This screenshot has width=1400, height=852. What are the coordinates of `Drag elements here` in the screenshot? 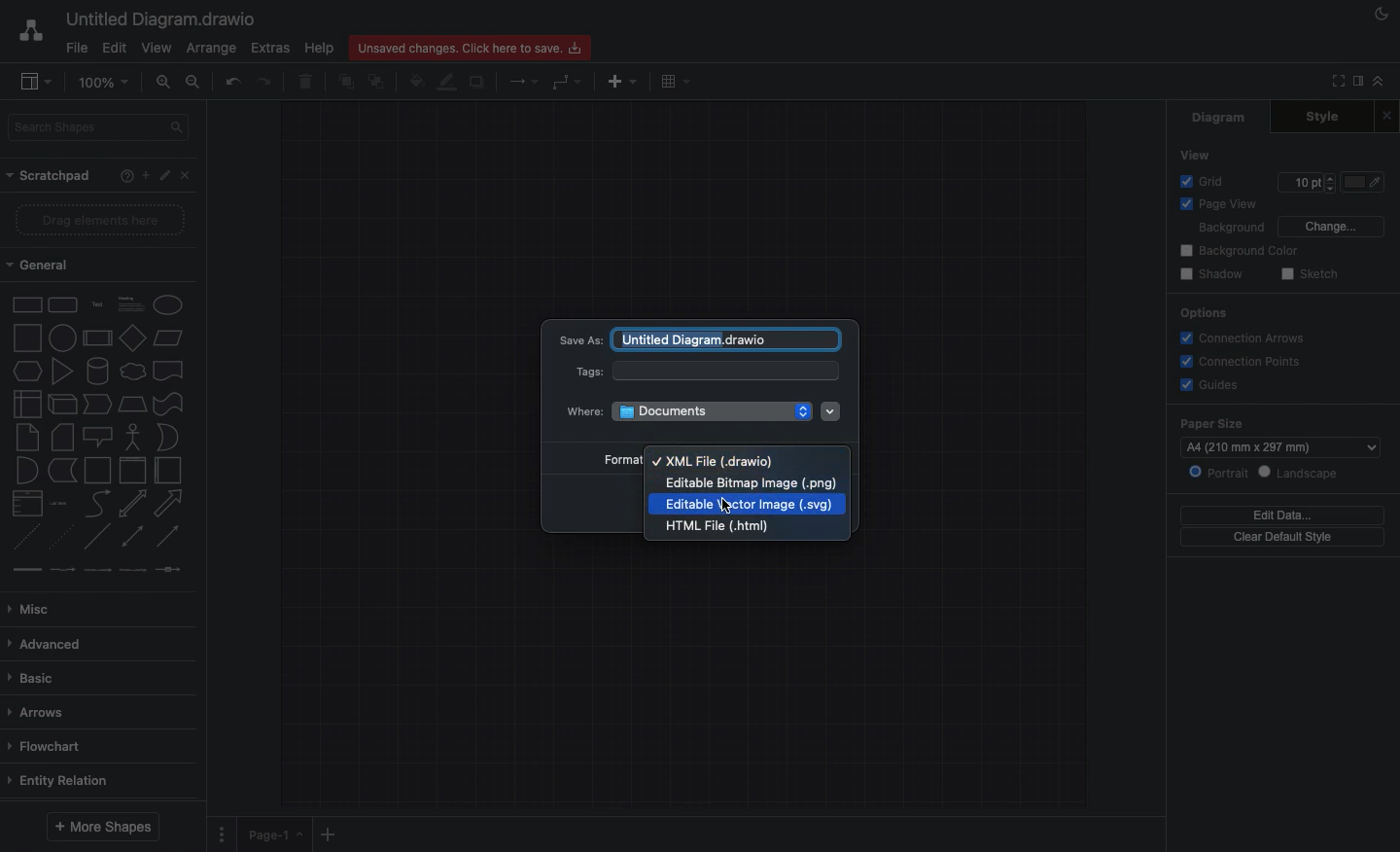 It's located at (95, 222).